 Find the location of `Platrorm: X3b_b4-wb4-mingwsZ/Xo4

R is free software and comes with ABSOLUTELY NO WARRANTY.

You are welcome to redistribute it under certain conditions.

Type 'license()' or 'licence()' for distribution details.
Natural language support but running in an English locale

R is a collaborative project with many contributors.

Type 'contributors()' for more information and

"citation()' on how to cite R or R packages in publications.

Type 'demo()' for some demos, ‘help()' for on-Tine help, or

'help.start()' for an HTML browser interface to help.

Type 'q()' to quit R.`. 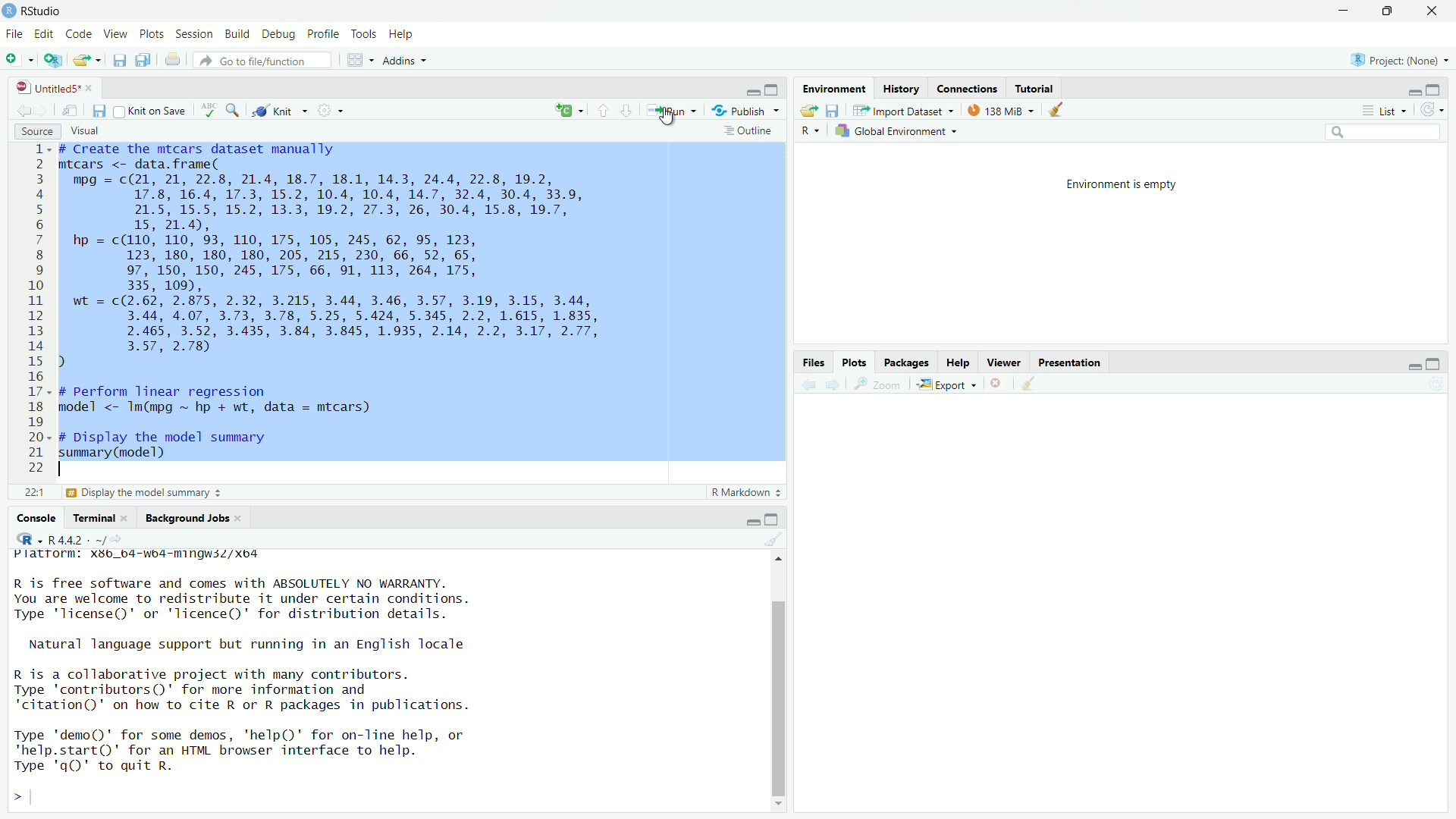

Platrorm: X3b_b4-wb4-mingwsZ/Xo4

R is free software and comes with ABSOLUTELY NO WARRANTY.

You are welcome to redistribute it under certain conditions.

Type 'license()' or 'licence()' for distribution details.
Natural language support but running in an English locale

R is a collaborative project with many contributors.

Type 'contributors()' for more information and

"citation()' on how to cite R or R packages in publications.

Type 'demo()' for some demos, ‘help()' for on-Tine help, or

'help.start()' for an HTML browser interface to help.

Type 'q()' to quit R. is located at coordinates (243, 662).